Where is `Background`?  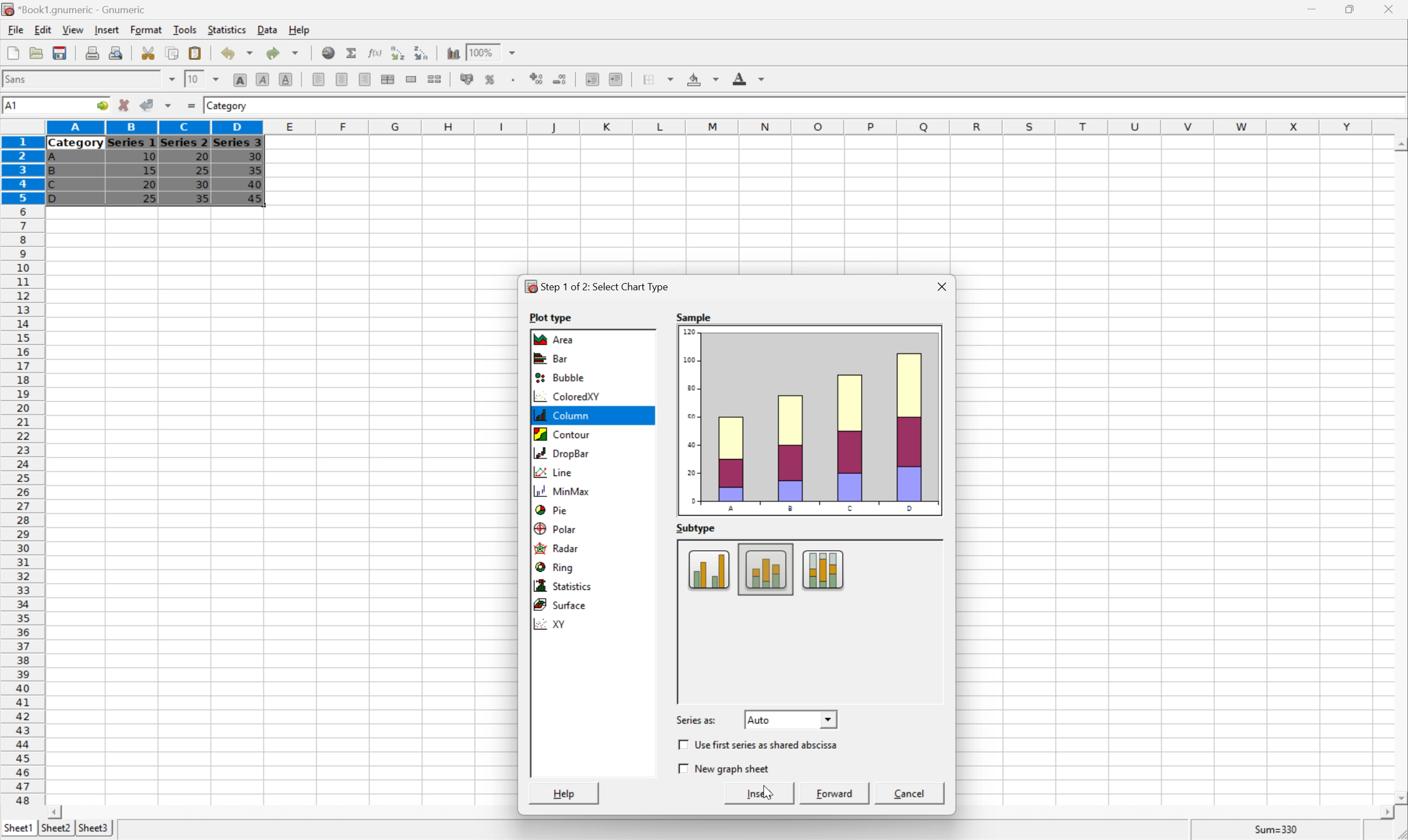 Background is located at coordinates (701, 78).